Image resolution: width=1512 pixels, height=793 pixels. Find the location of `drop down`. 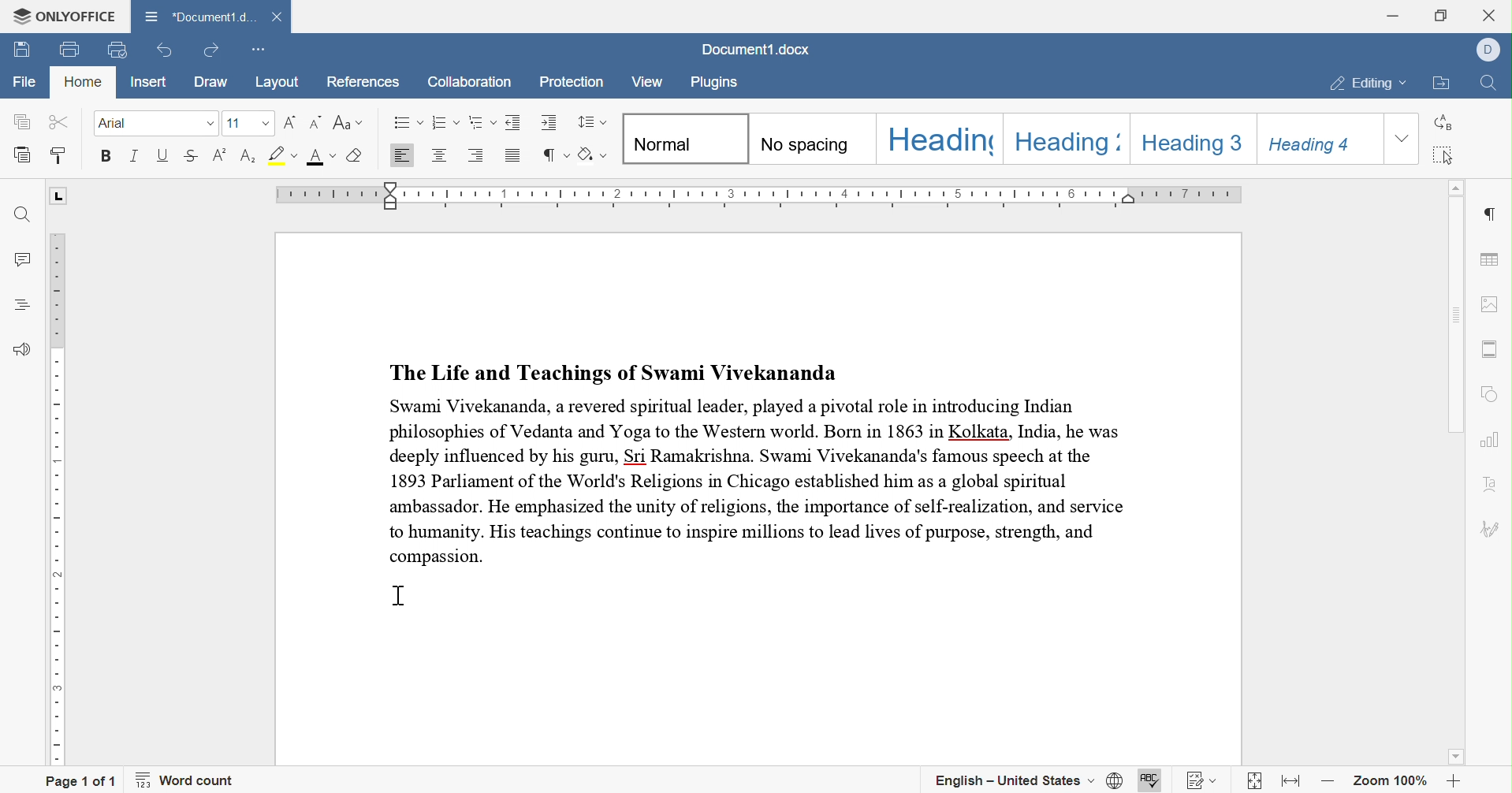

drop down is located at coordinates (266, 125).